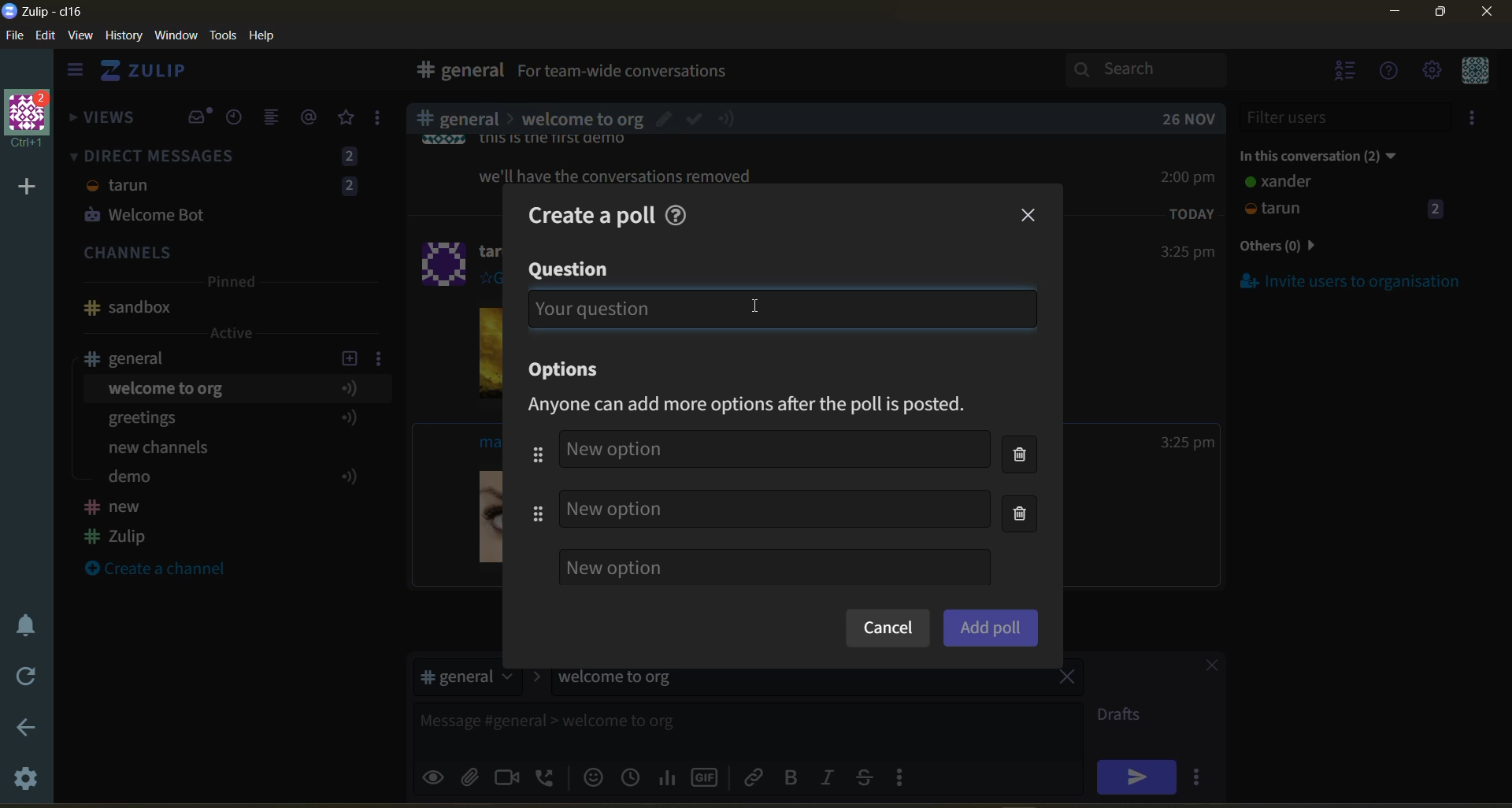 The image size is (1512, 808). I want to click on add emoji, so click(591, 776).